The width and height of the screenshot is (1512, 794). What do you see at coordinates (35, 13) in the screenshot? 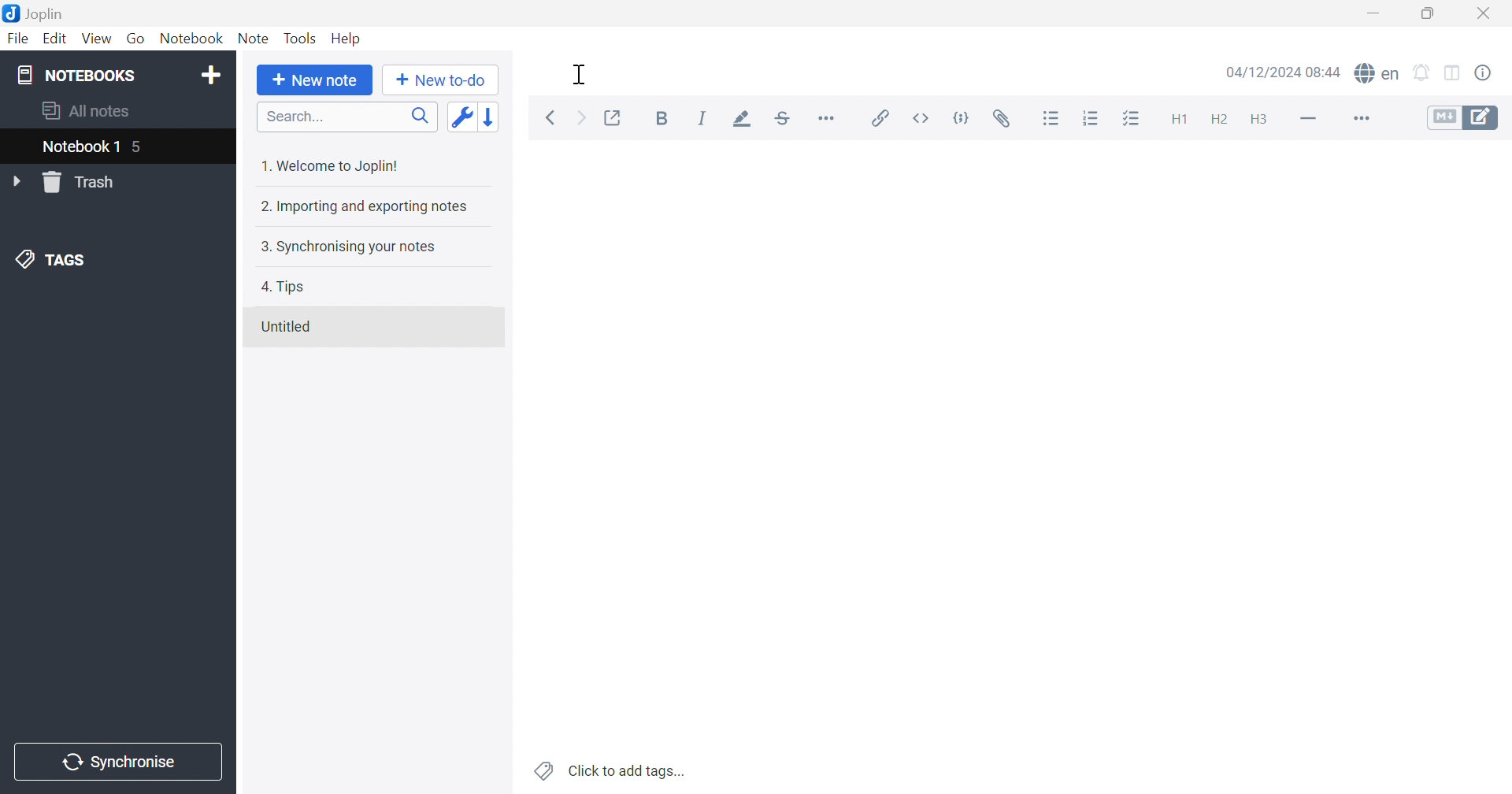
I see `Joplin` at bounding box center [35, 13].